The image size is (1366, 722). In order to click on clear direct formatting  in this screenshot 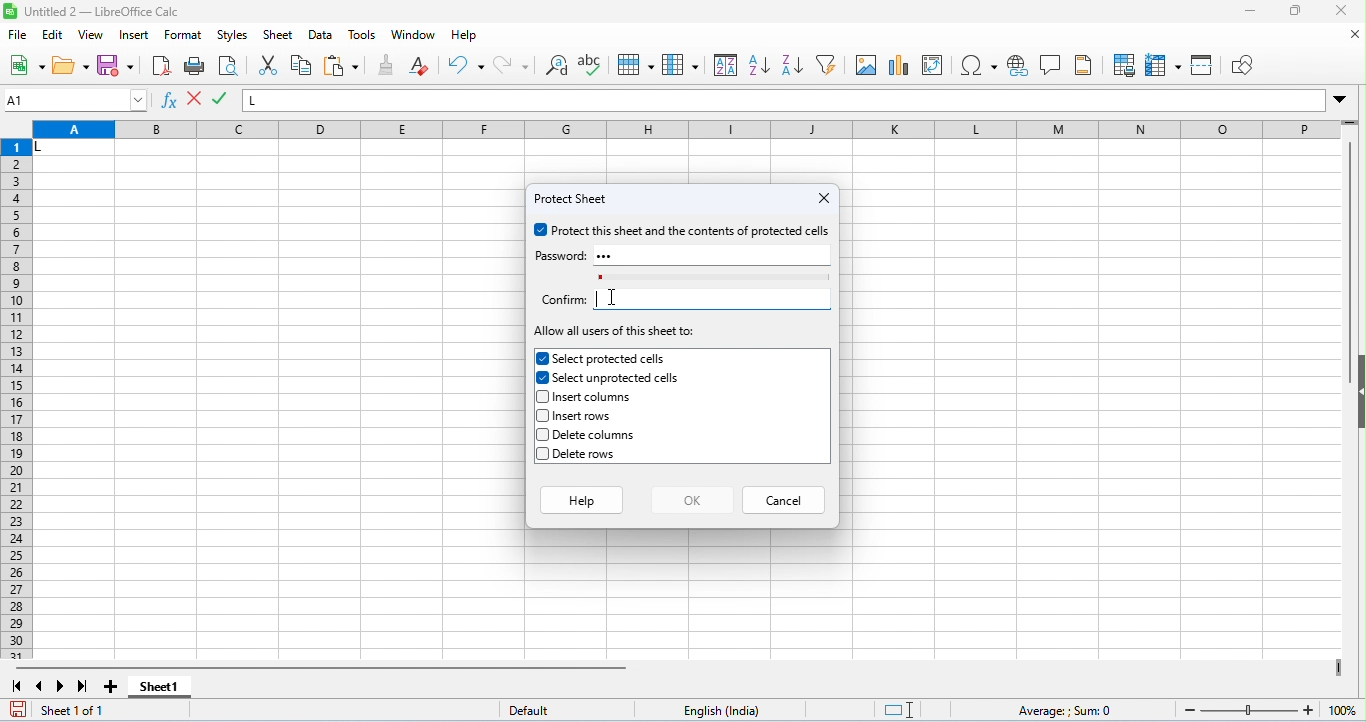, I will do `click(419, 65)`.